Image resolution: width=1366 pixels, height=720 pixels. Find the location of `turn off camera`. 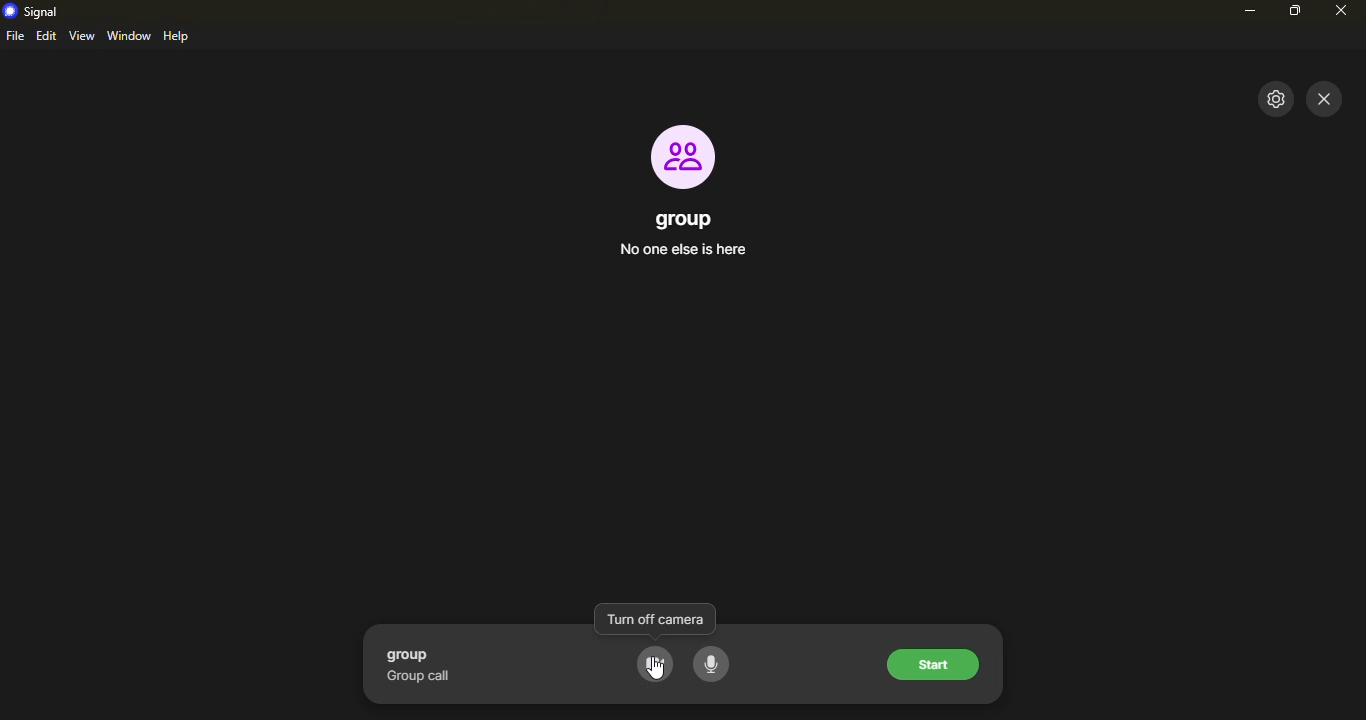

turn off camera is located at coordinates (654, 618).